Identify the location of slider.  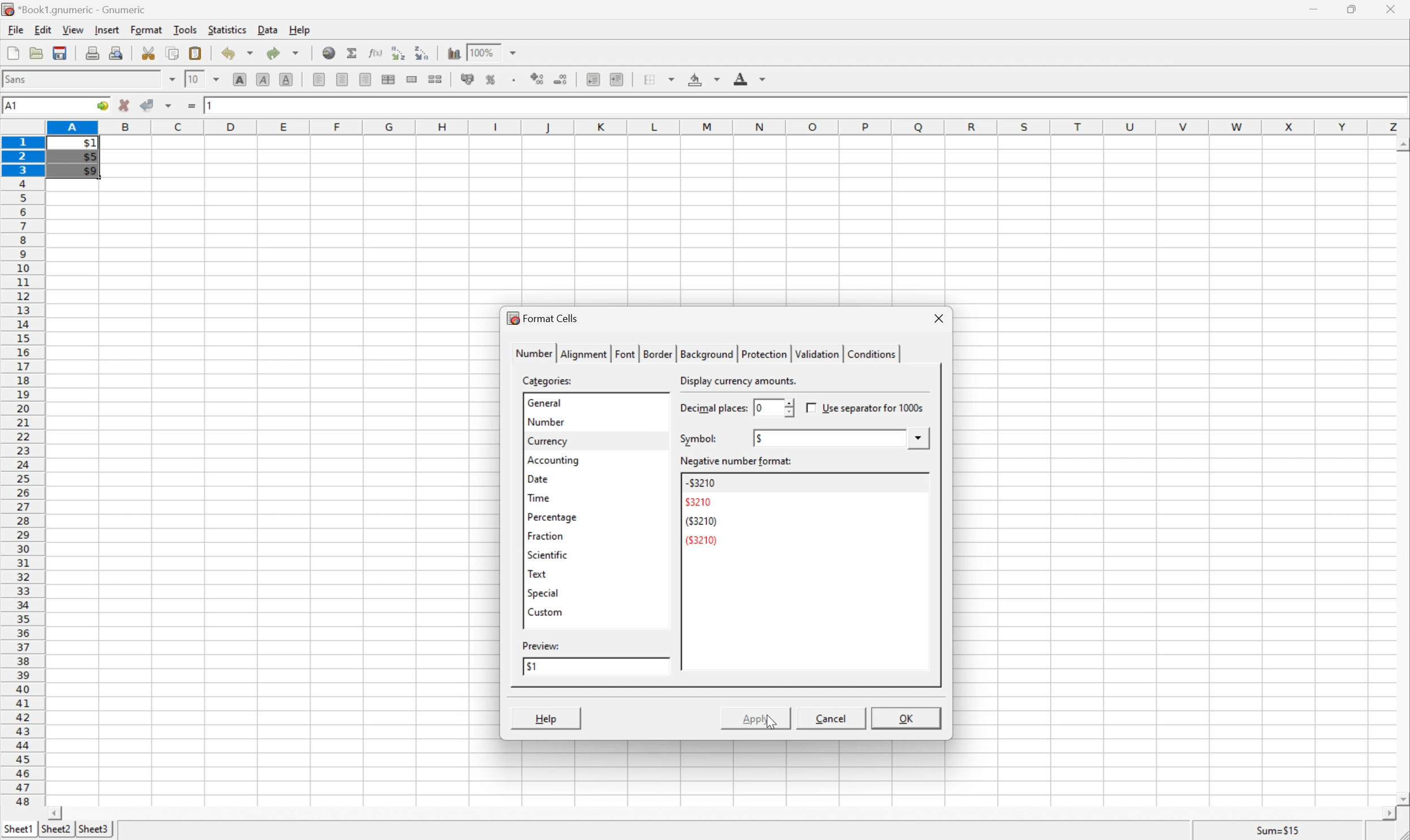
(787, 407).